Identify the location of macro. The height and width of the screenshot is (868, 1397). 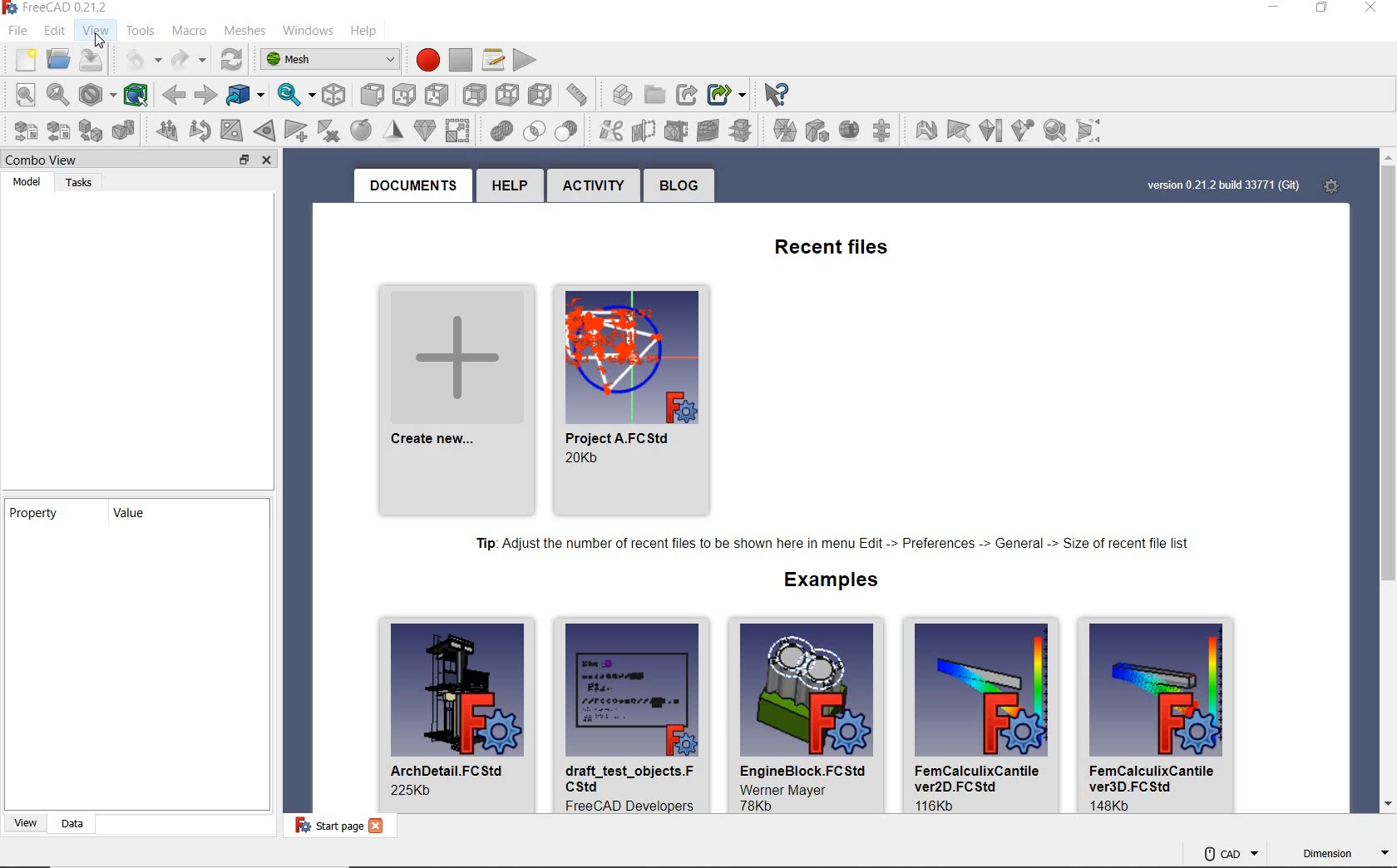
(183, 31).